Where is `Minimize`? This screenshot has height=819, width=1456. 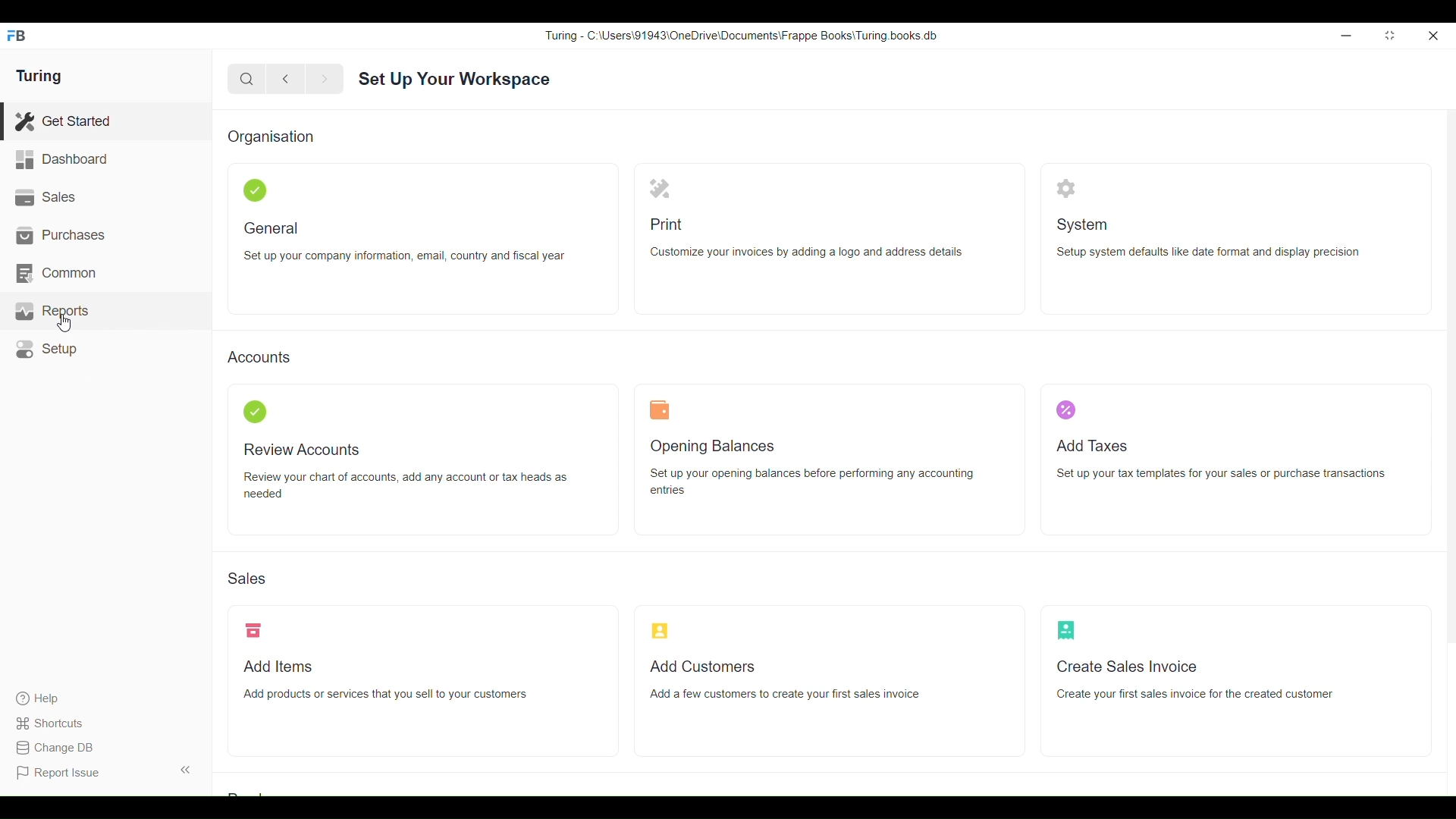 Minimize is located at coordinates (1346, 36).